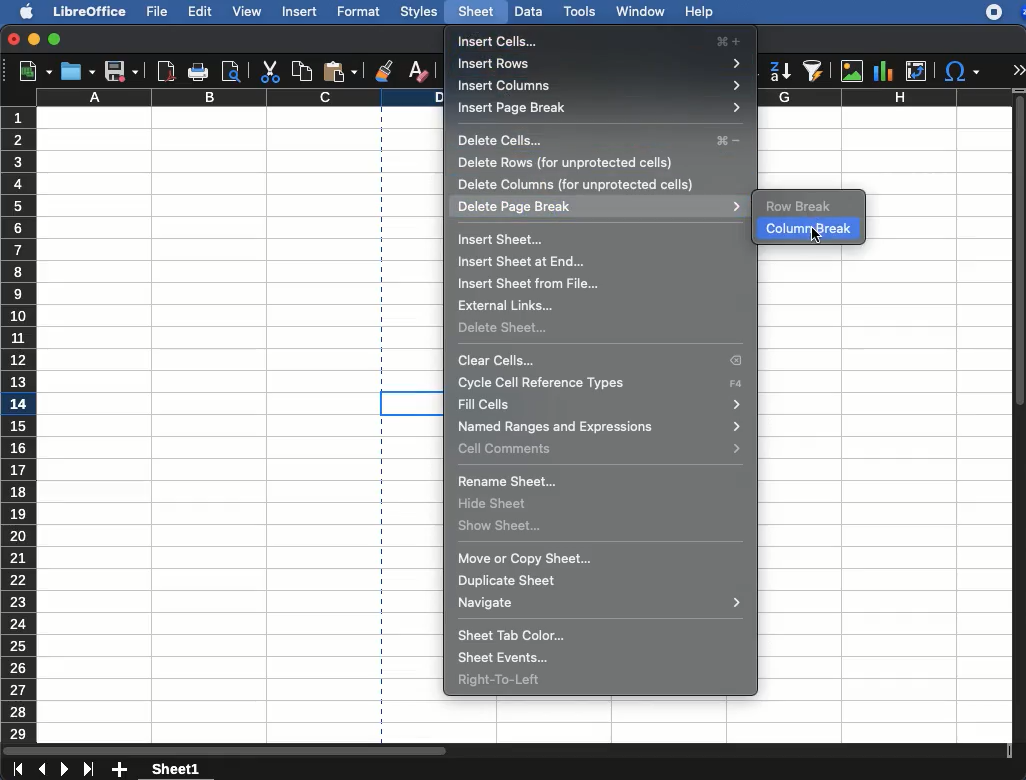  I want to click on sheet tab color, so click(512, 636).